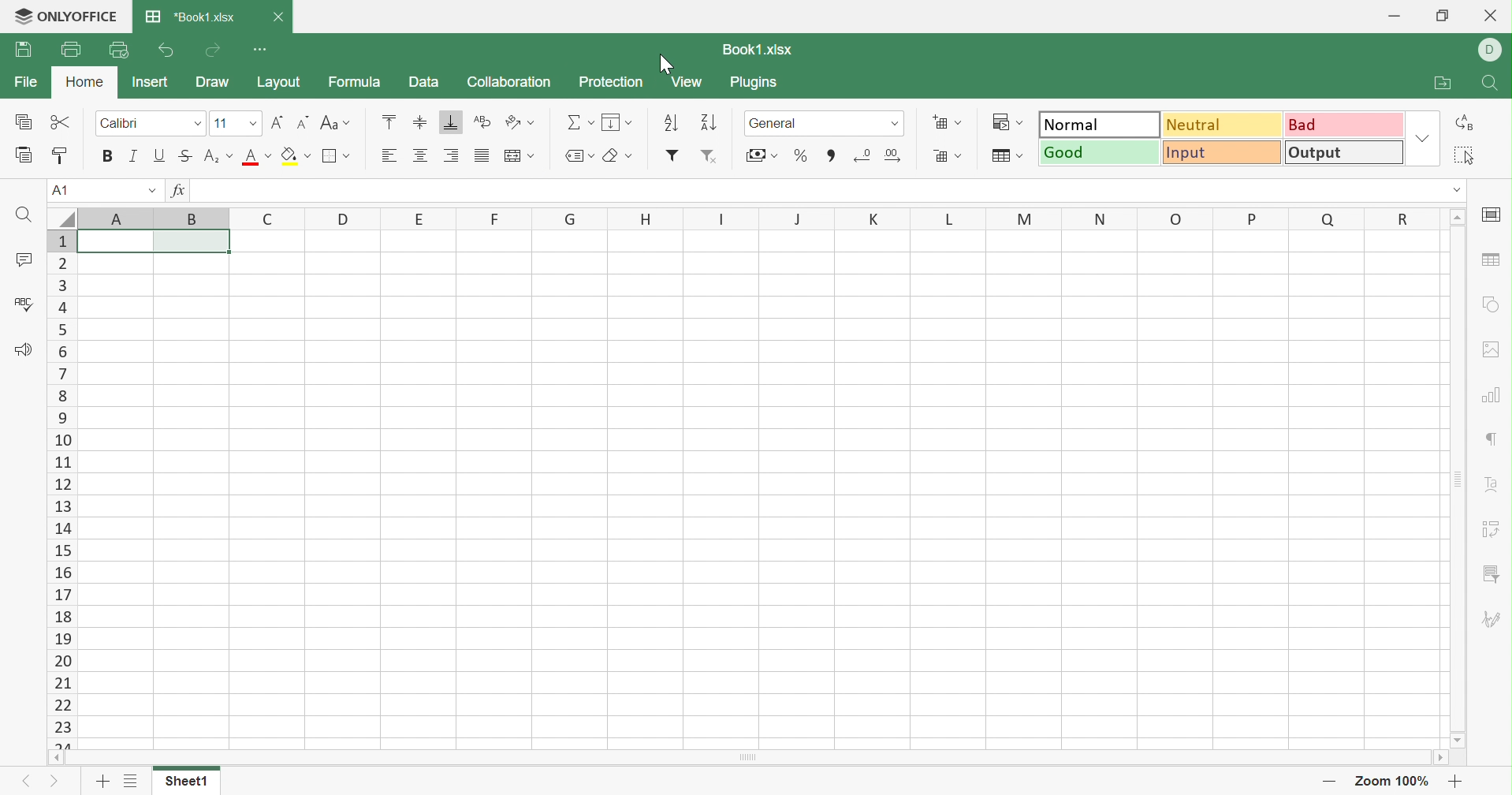 This screenshot has height=795, width=1512. What do you see at coordinates (1491, 527) in the screenshot?
I see `Pivot Table settings` at bounding box center [1491, 527].